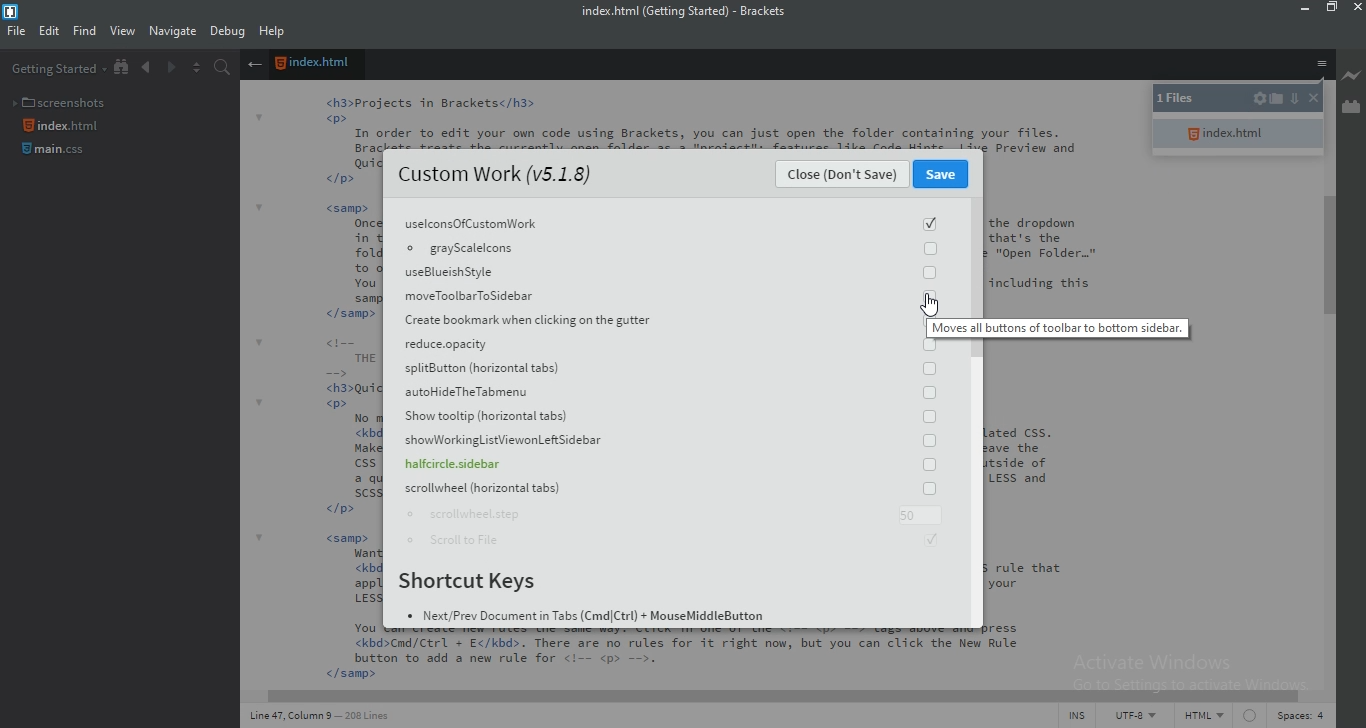 Image resolution: width=1366 pixels, height=728 pixels. Describe the element at coordinates (148, 68) in the screenshot. I see `Previous document` at that location.